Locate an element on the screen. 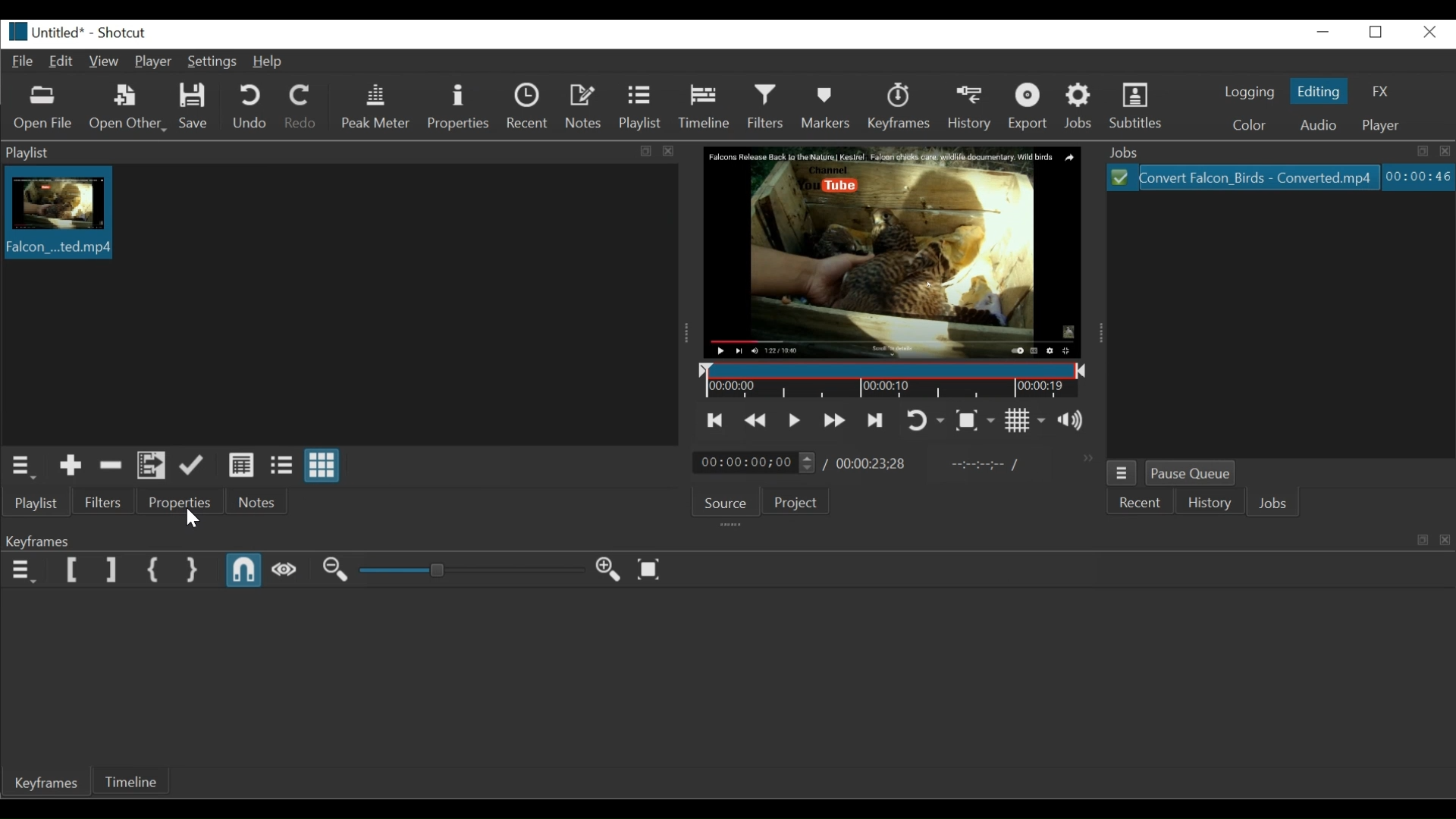 The image size is (1456, 819). Notees is located at coordinates (586, 109).